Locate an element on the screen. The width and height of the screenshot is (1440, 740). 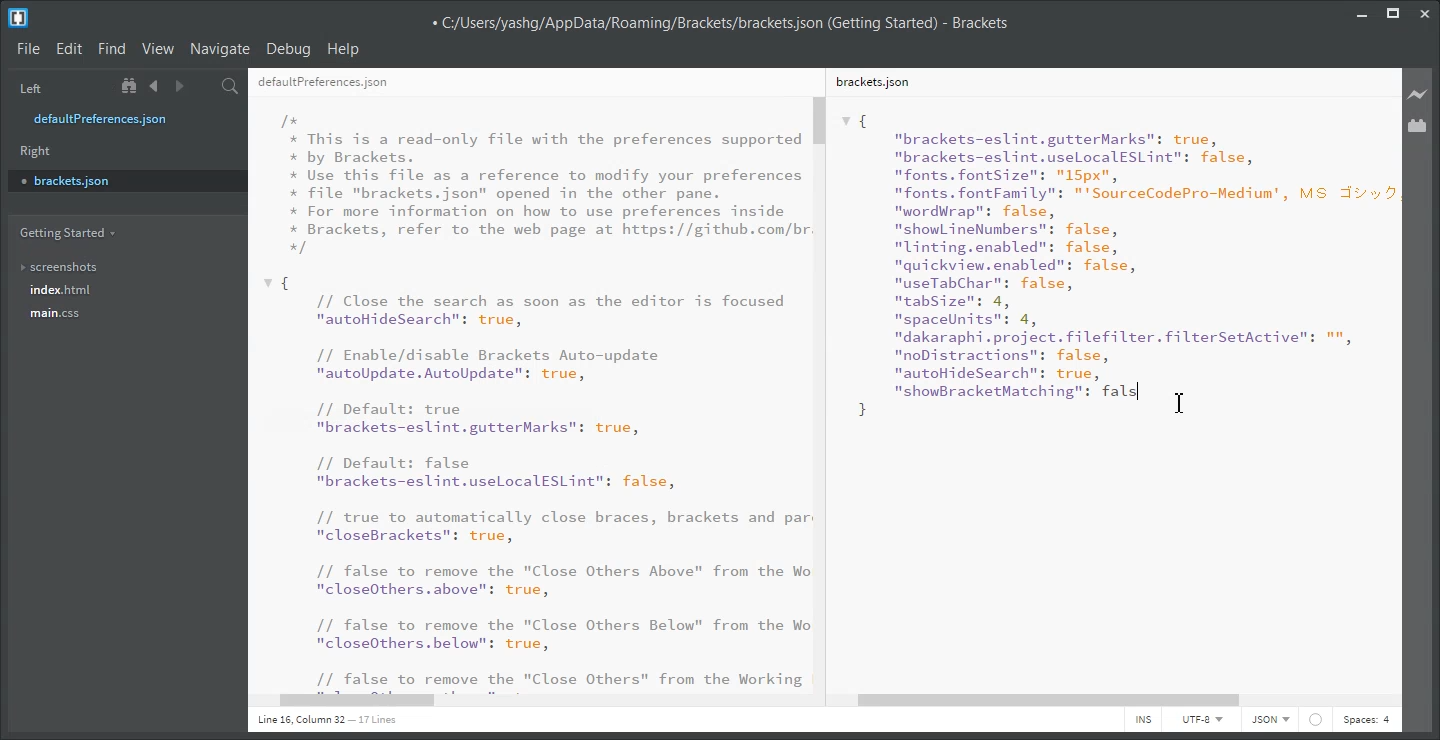
{
// Close the search as soon as the editor is focused
"autoHideSearch": true,
// Enable/disable Brackets Auto-update
"autoUpdate. AutoUpdate": true,
// Default: true
"brackets-eslint.gutterMarks": true,
// Default: false
"brackets-eslint.uselocalESLint": false,
// true to automatically close braces, brackets and par
"closeBrackets": true,
// false to remove the "Close Others Above" from the Wo
"closeOthers. above": true,
// false to remove the "Close Others Below" from the Wo
"closeOthers.below": true,
// false to remove the "Close Others" from the Working is located at coordinates (536, 482).